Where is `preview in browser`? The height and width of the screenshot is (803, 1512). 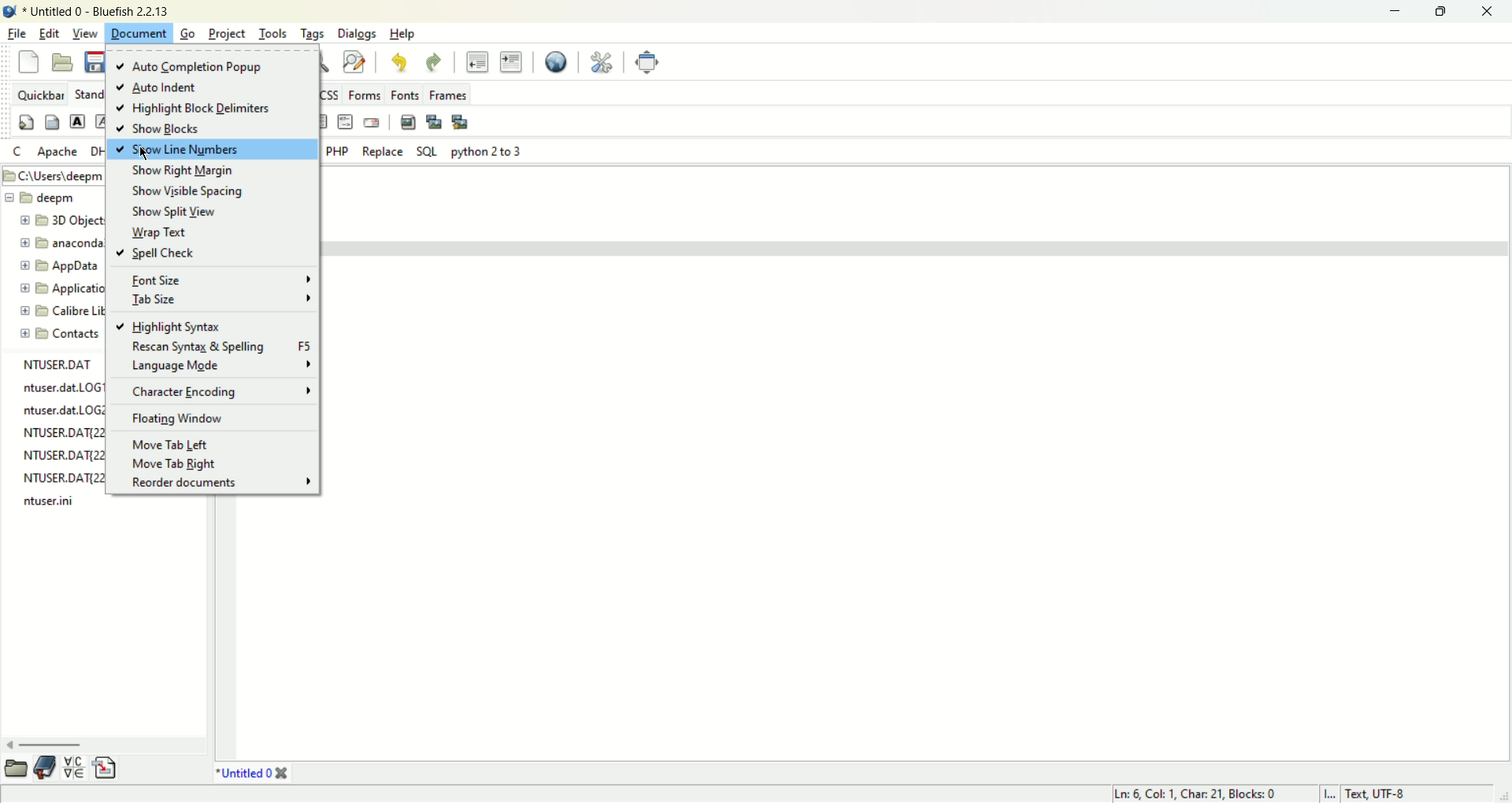 preview in browser is located at coordinates (553, 60).